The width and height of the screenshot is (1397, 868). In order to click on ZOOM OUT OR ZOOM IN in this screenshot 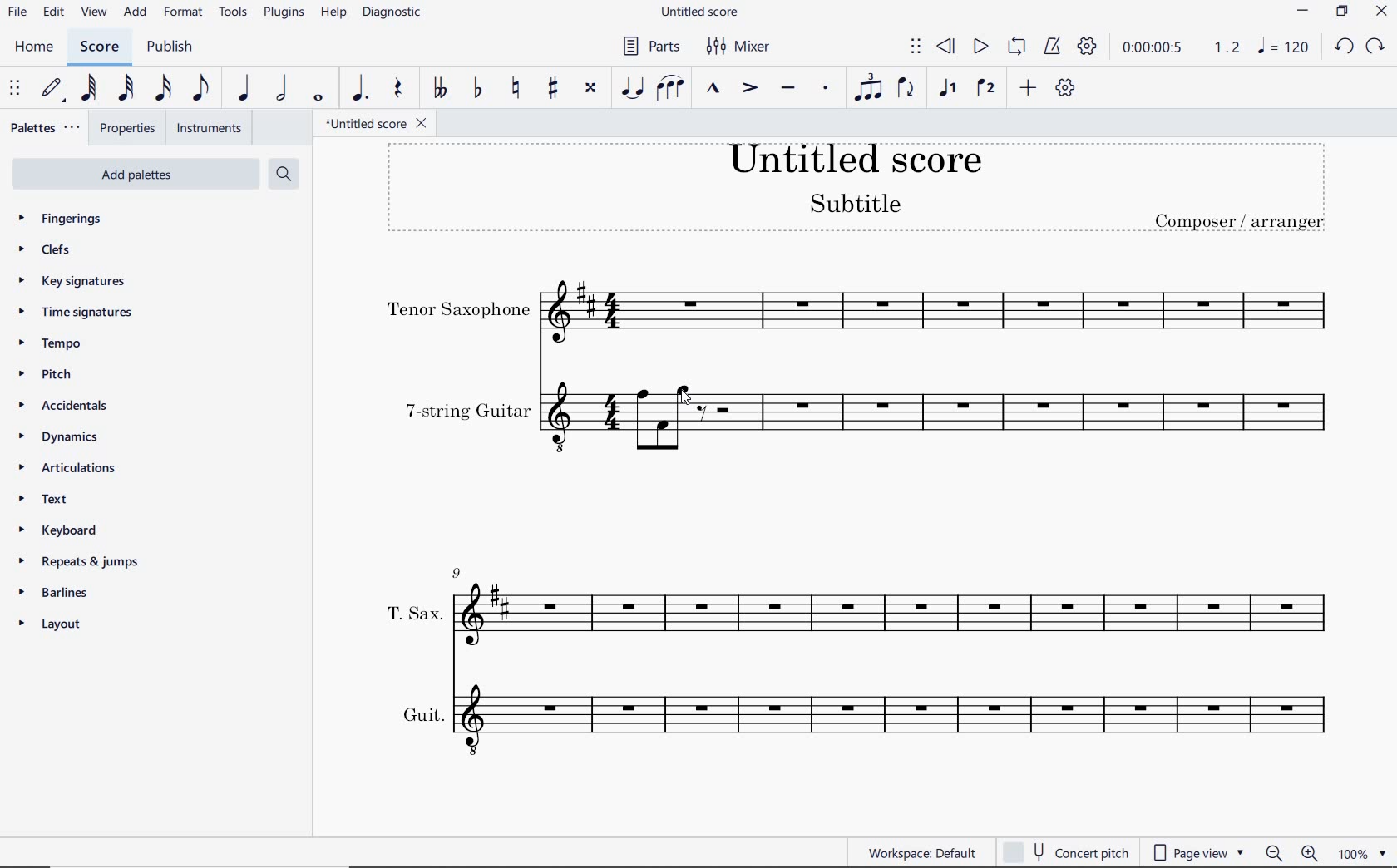, I will do `click(1291, 854)`.